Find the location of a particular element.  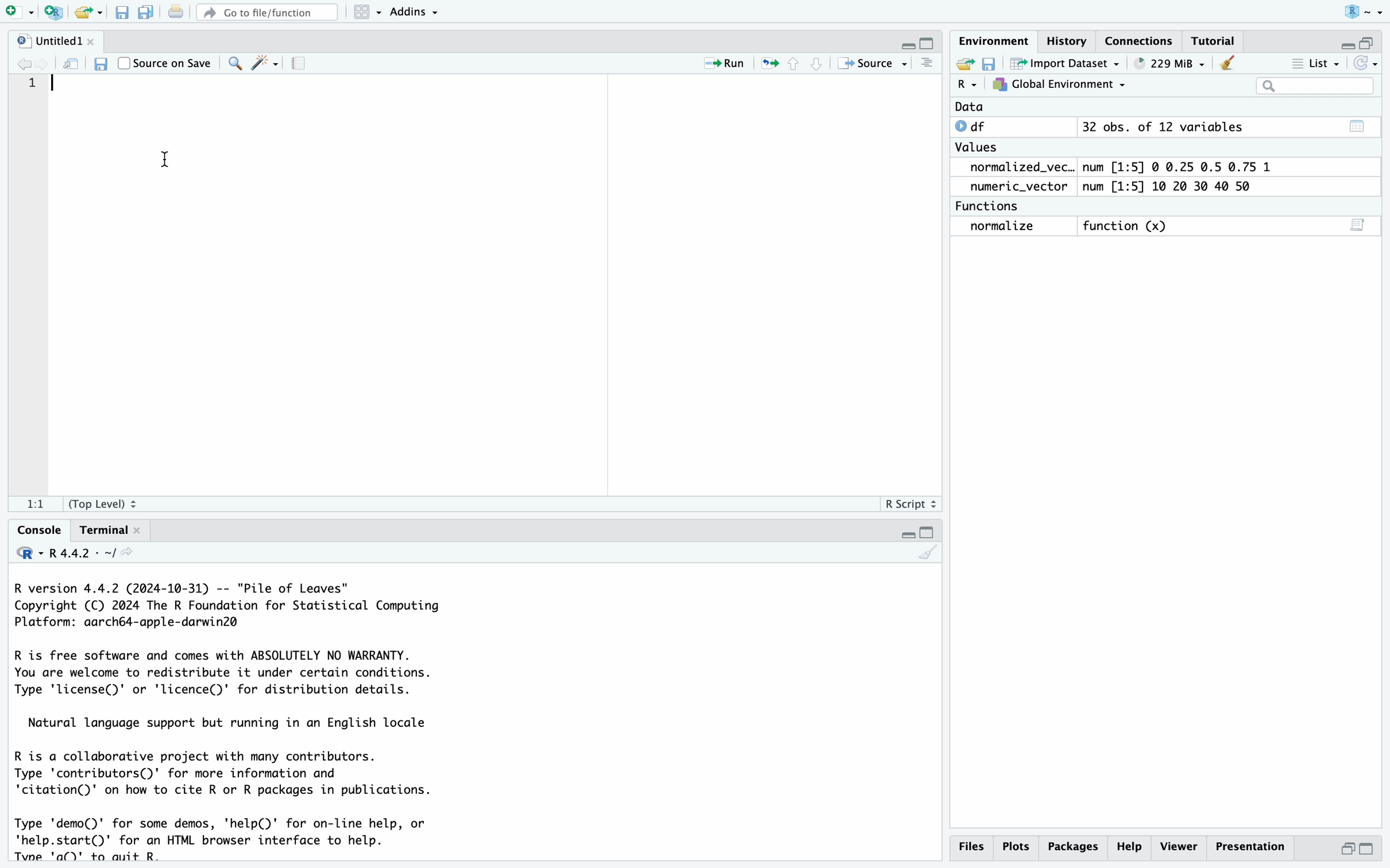

(Top Level) is located at coordinates (101, 506).